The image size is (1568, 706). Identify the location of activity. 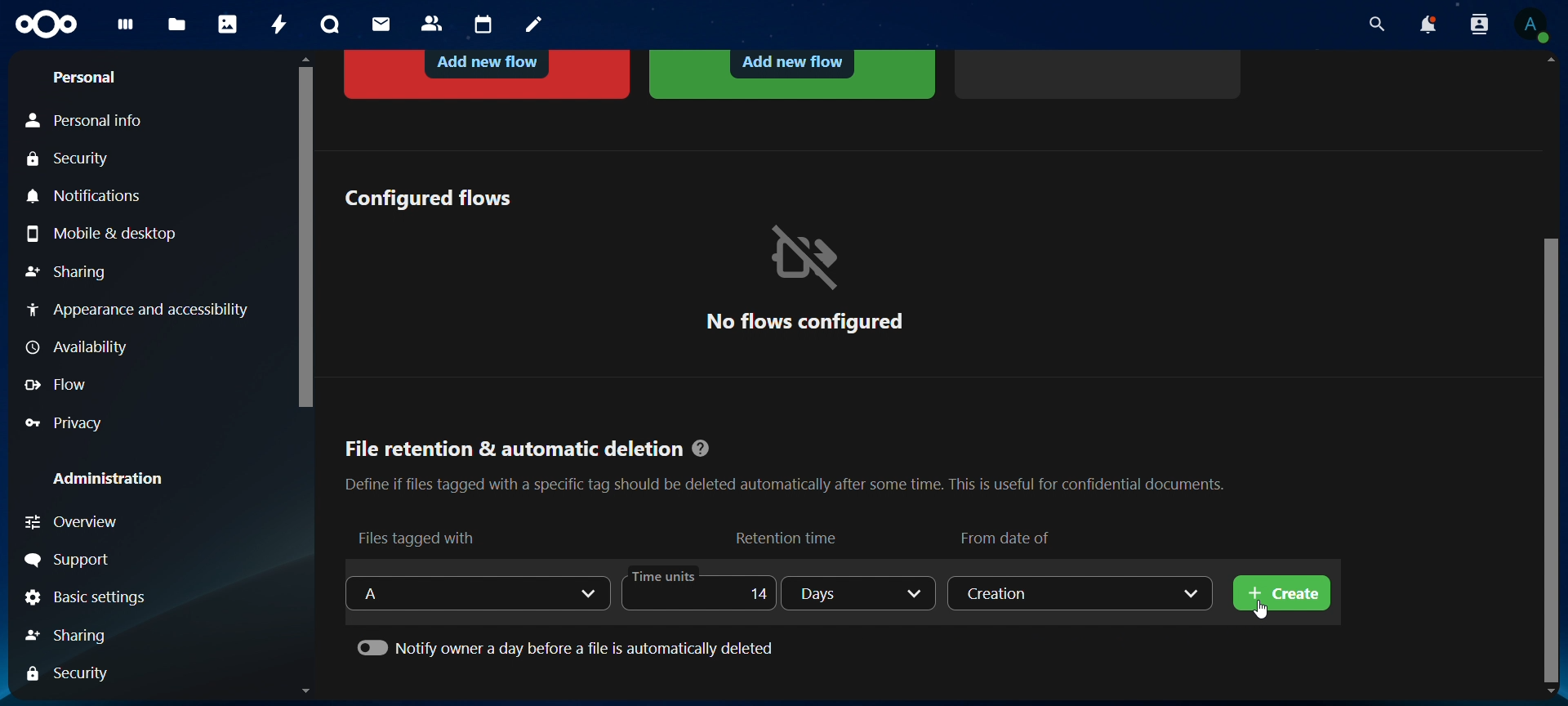
(281, 25).